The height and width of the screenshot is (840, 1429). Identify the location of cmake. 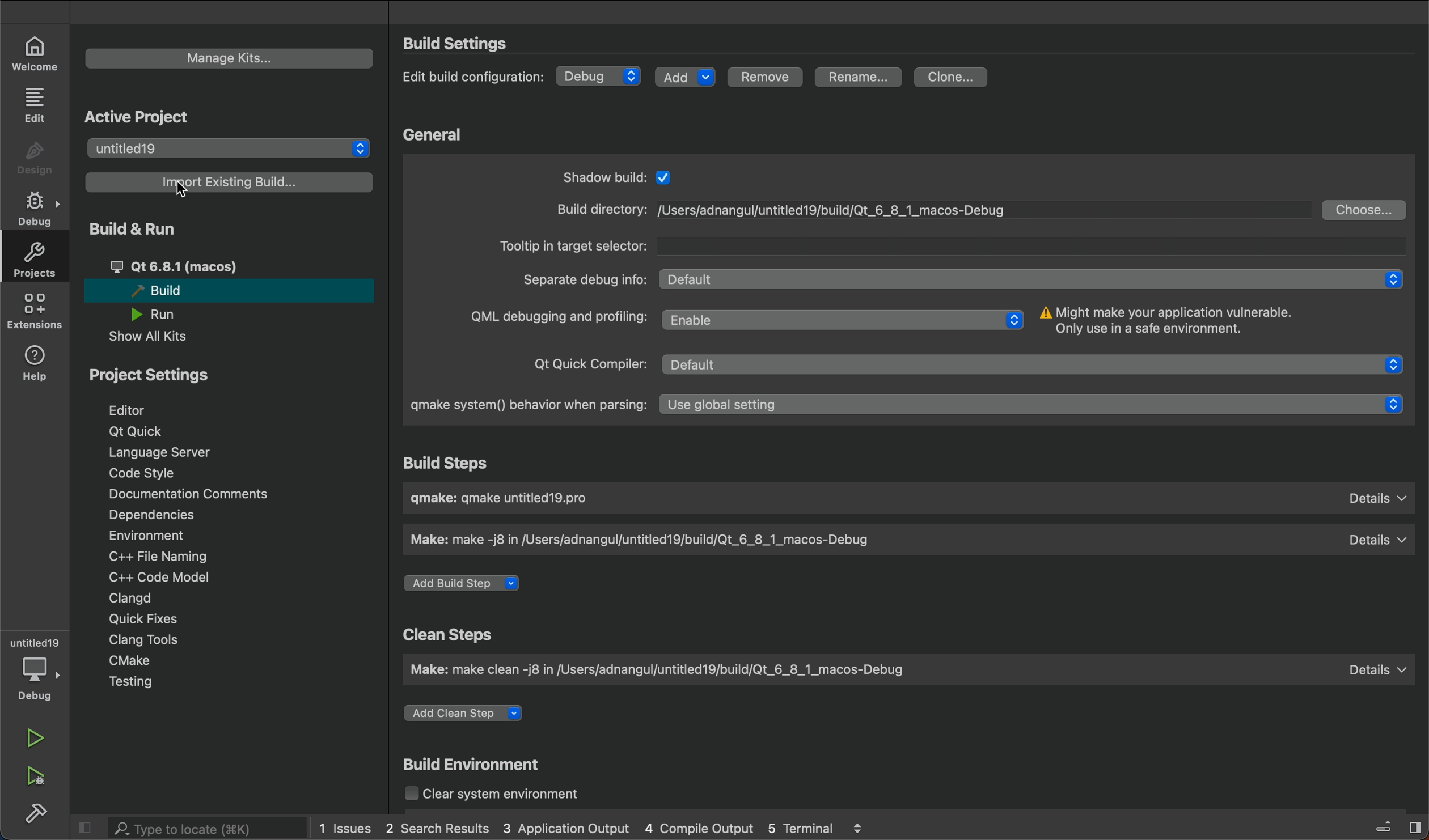
(137, 662).